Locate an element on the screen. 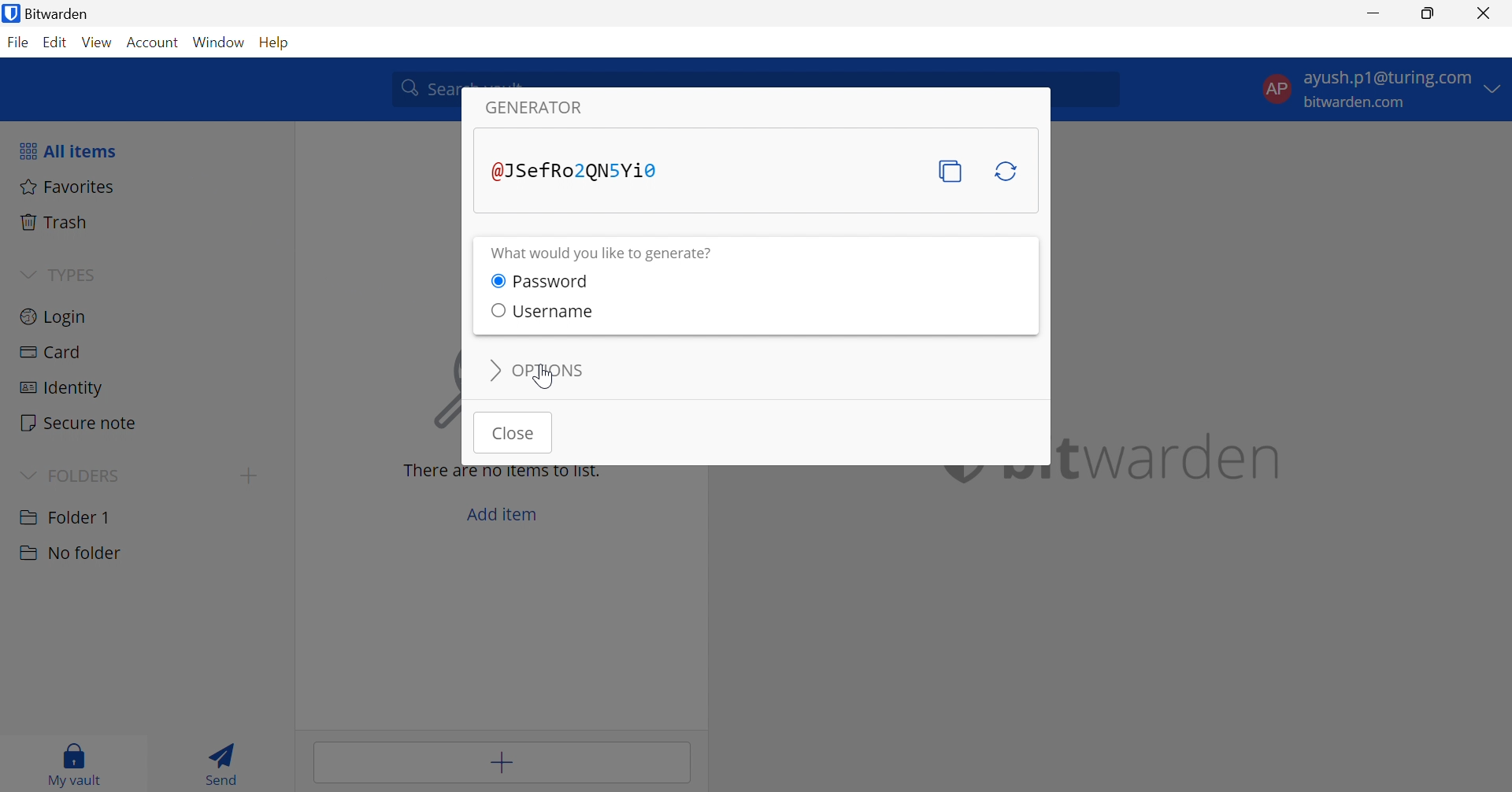 This screenshot has width=1512, height=792. Login is located at coordinates (54, 319).